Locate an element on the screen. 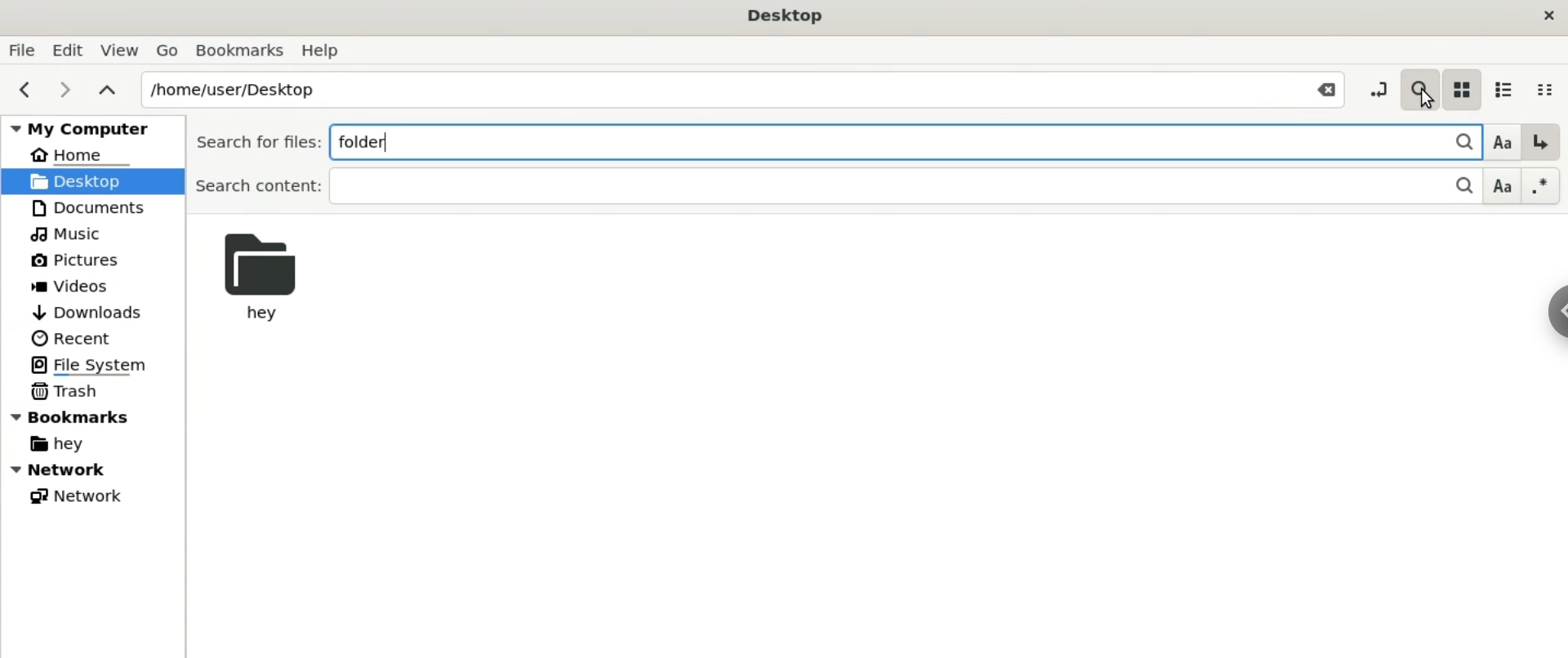 This screenshot has width=1568, height=658. Bookmarks is located at coordinates (241, 51).